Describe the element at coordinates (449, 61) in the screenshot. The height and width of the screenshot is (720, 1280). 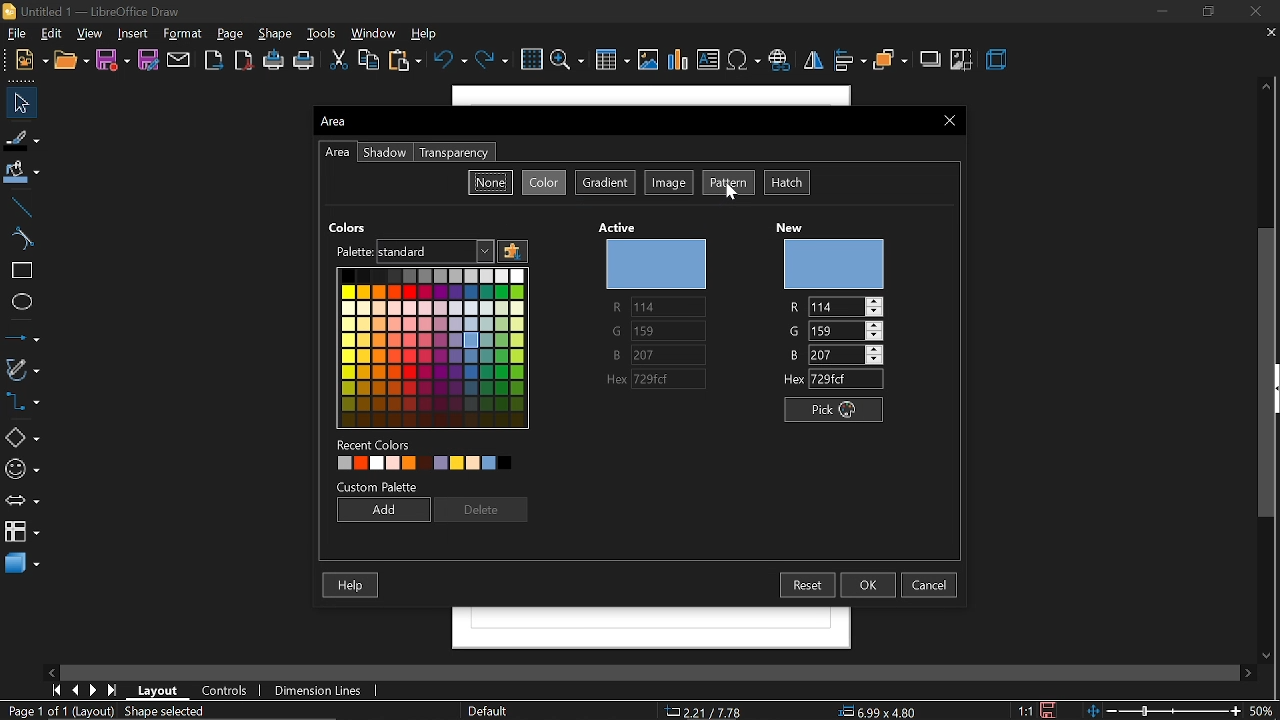
I see `undo` at that location.